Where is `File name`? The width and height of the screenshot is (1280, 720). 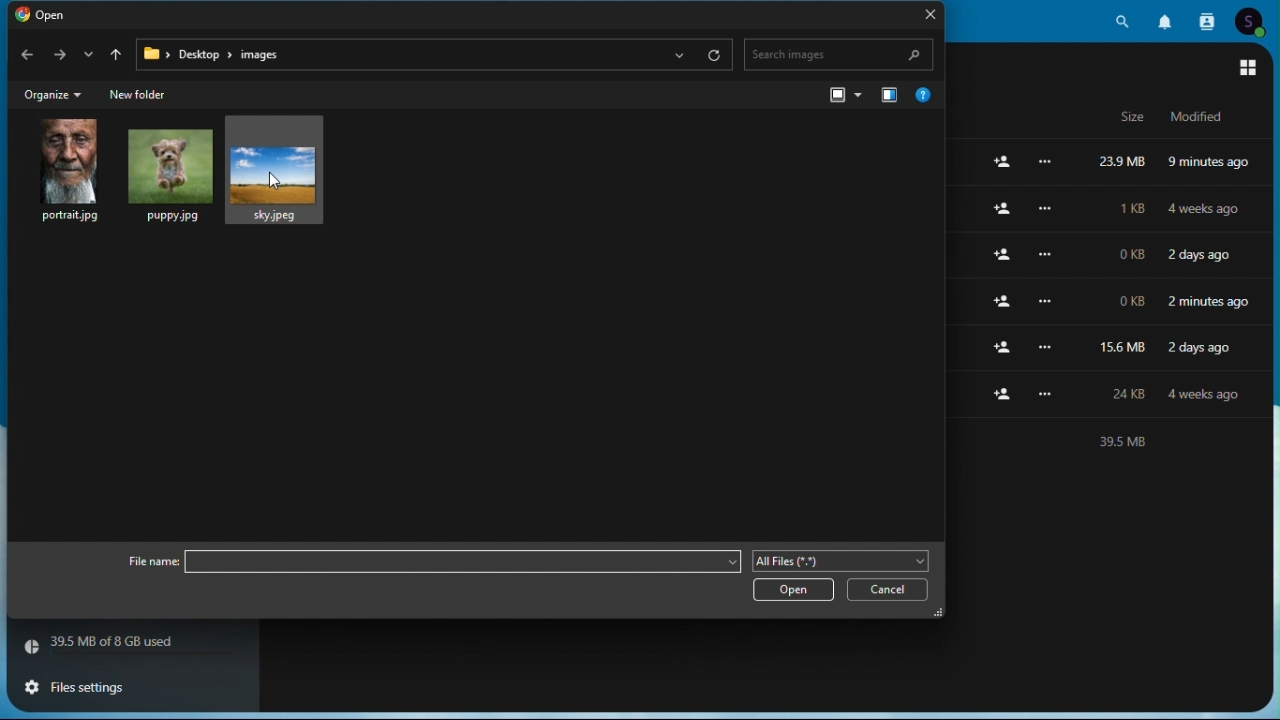 File name is located at coordinates (462, 561).